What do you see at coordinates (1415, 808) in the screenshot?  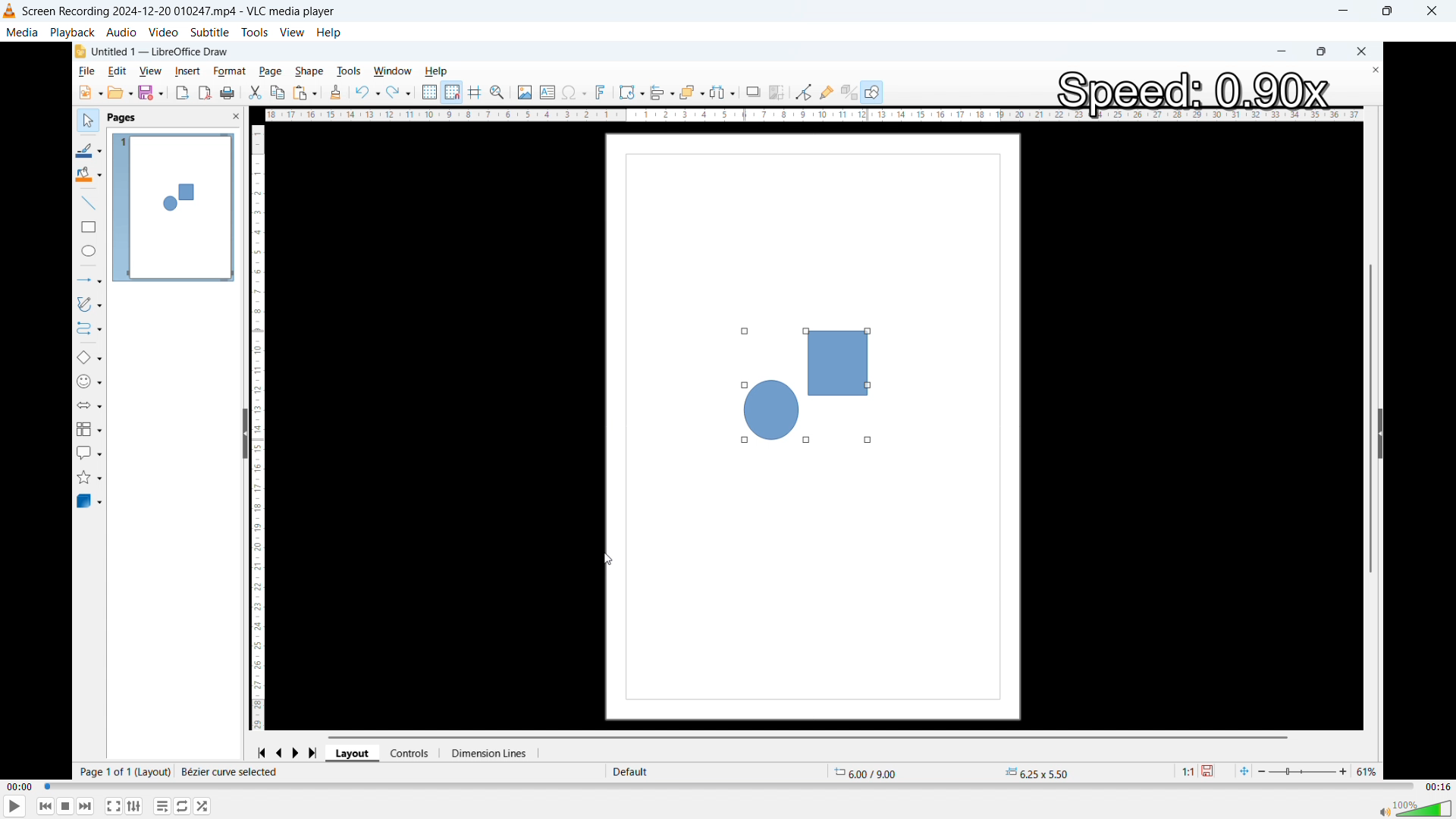 I see `Sound bar` at bounding box center [1415, 808].